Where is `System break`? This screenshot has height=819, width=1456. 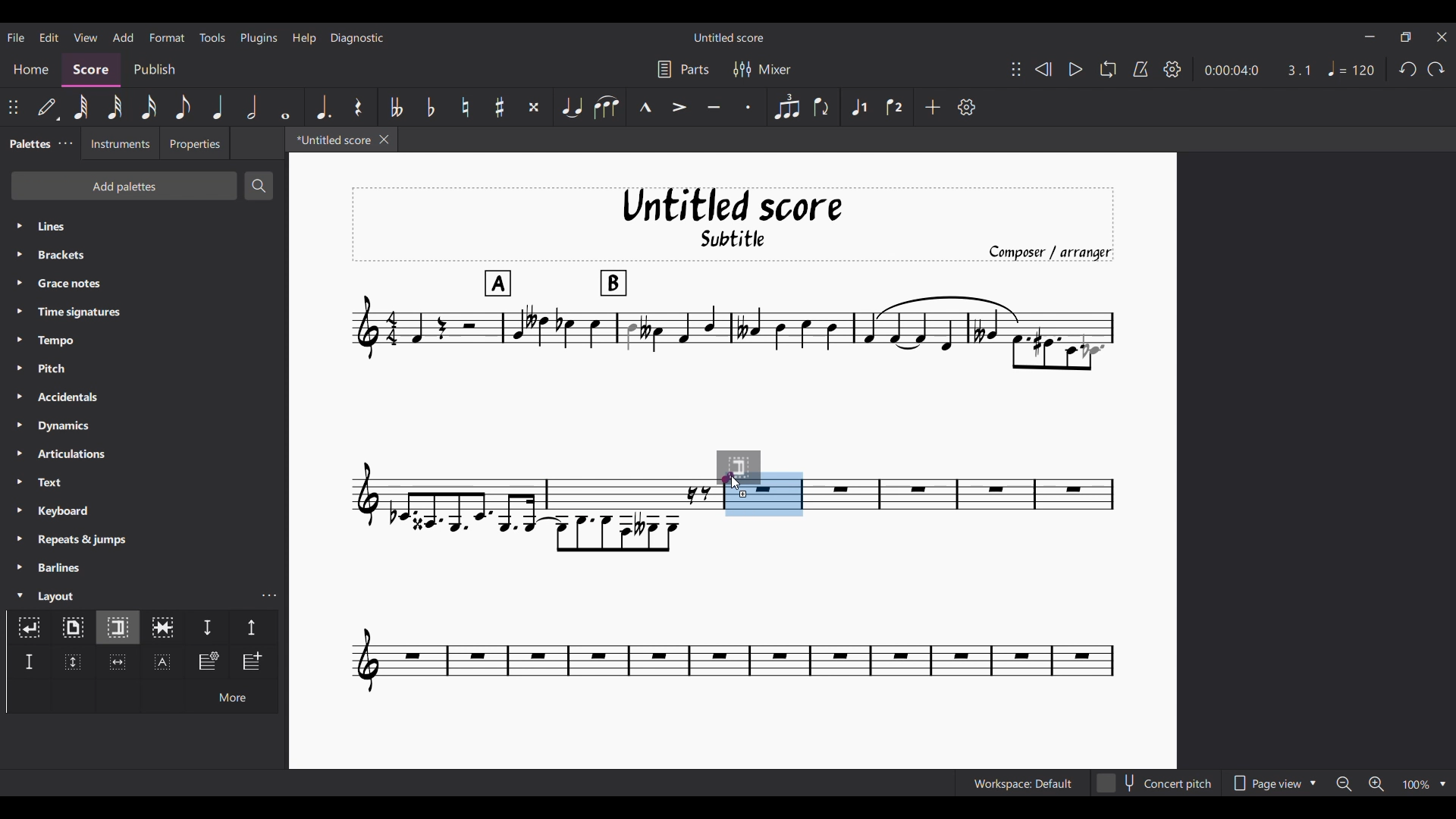
System break is located at coordinates (29, 627).